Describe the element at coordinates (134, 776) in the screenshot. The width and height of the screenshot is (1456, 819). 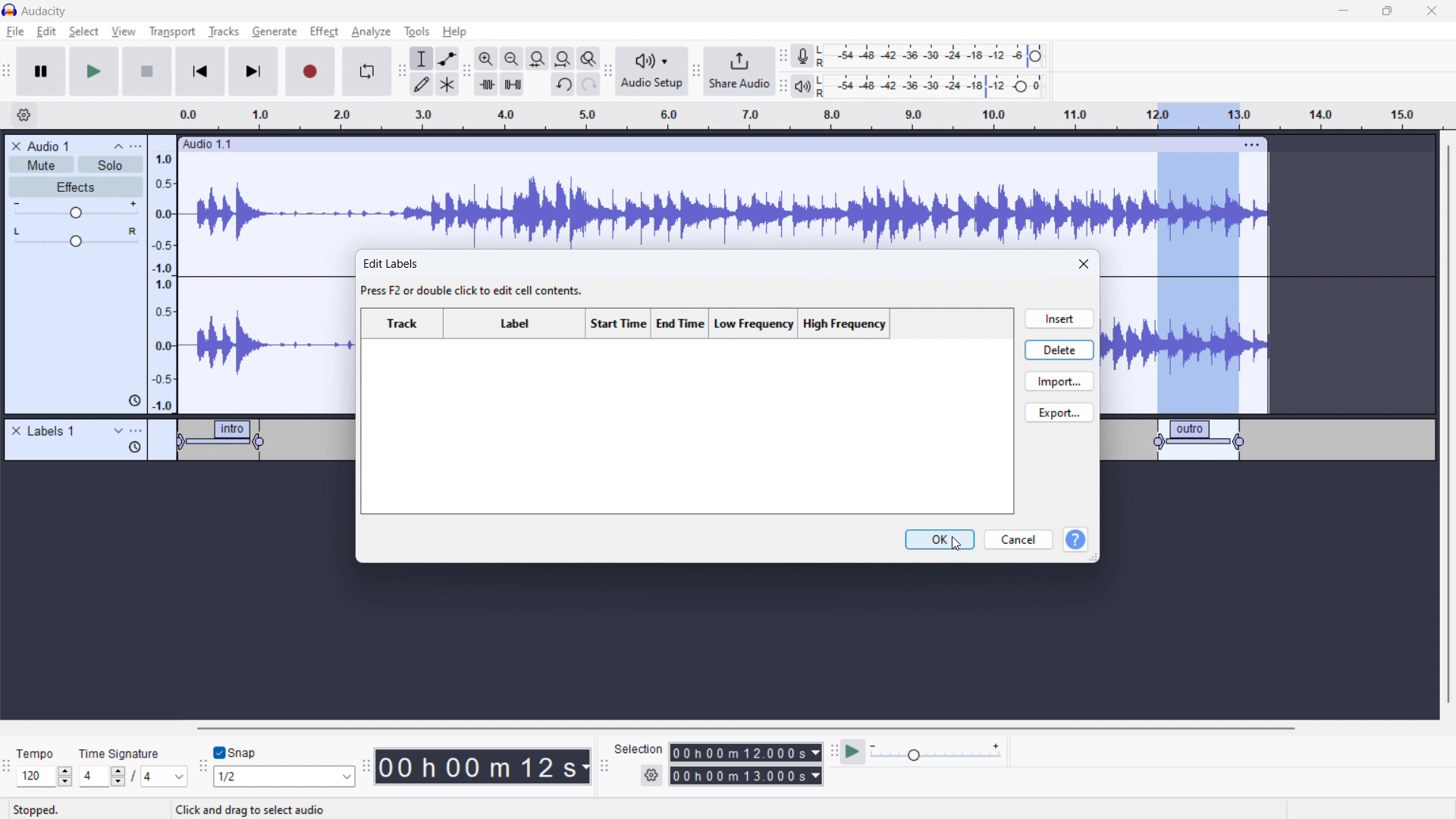
I see `set time signature` at that location.